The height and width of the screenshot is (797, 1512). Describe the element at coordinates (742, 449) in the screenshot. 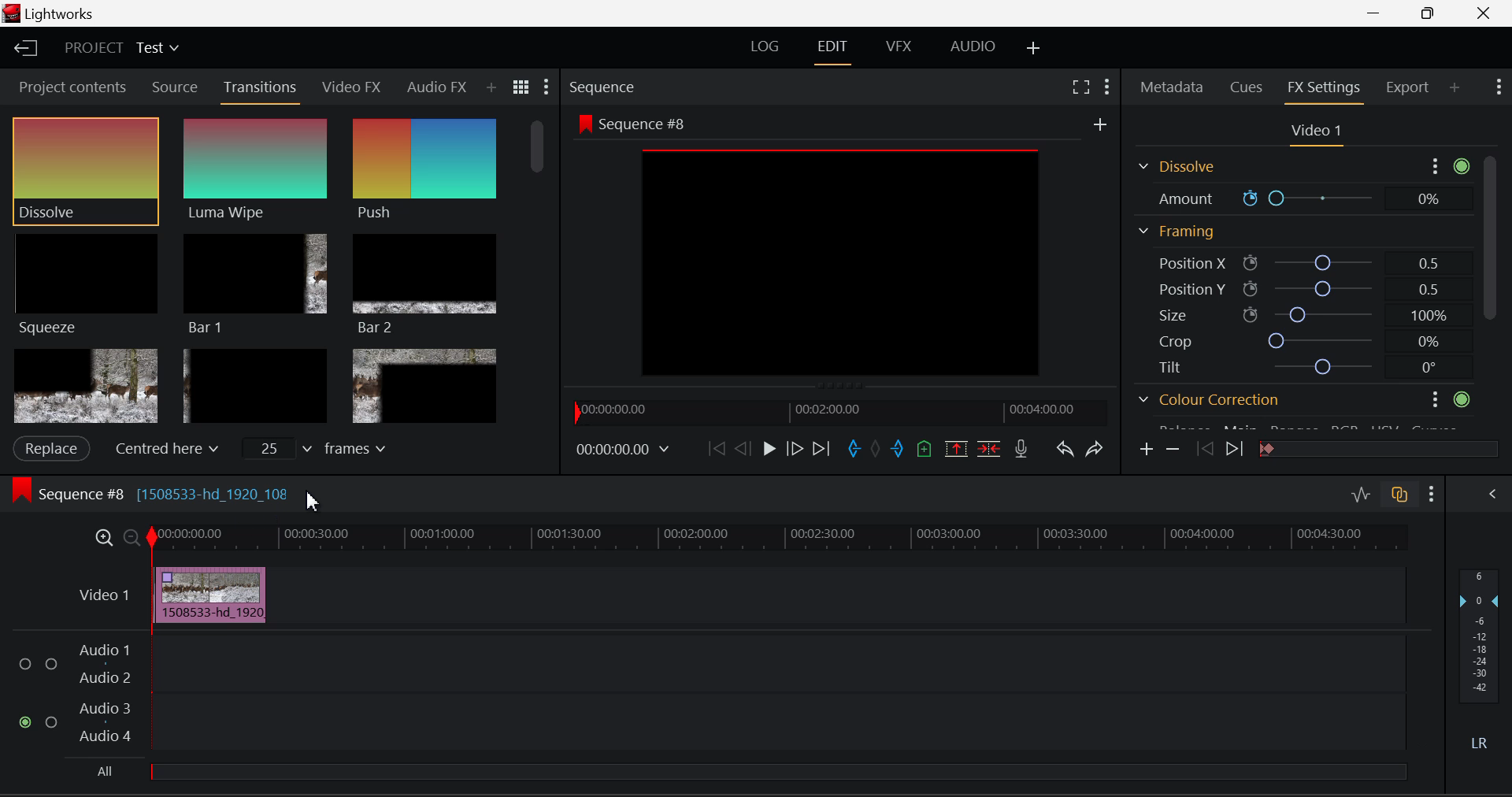

I see `Go Back` at that location.